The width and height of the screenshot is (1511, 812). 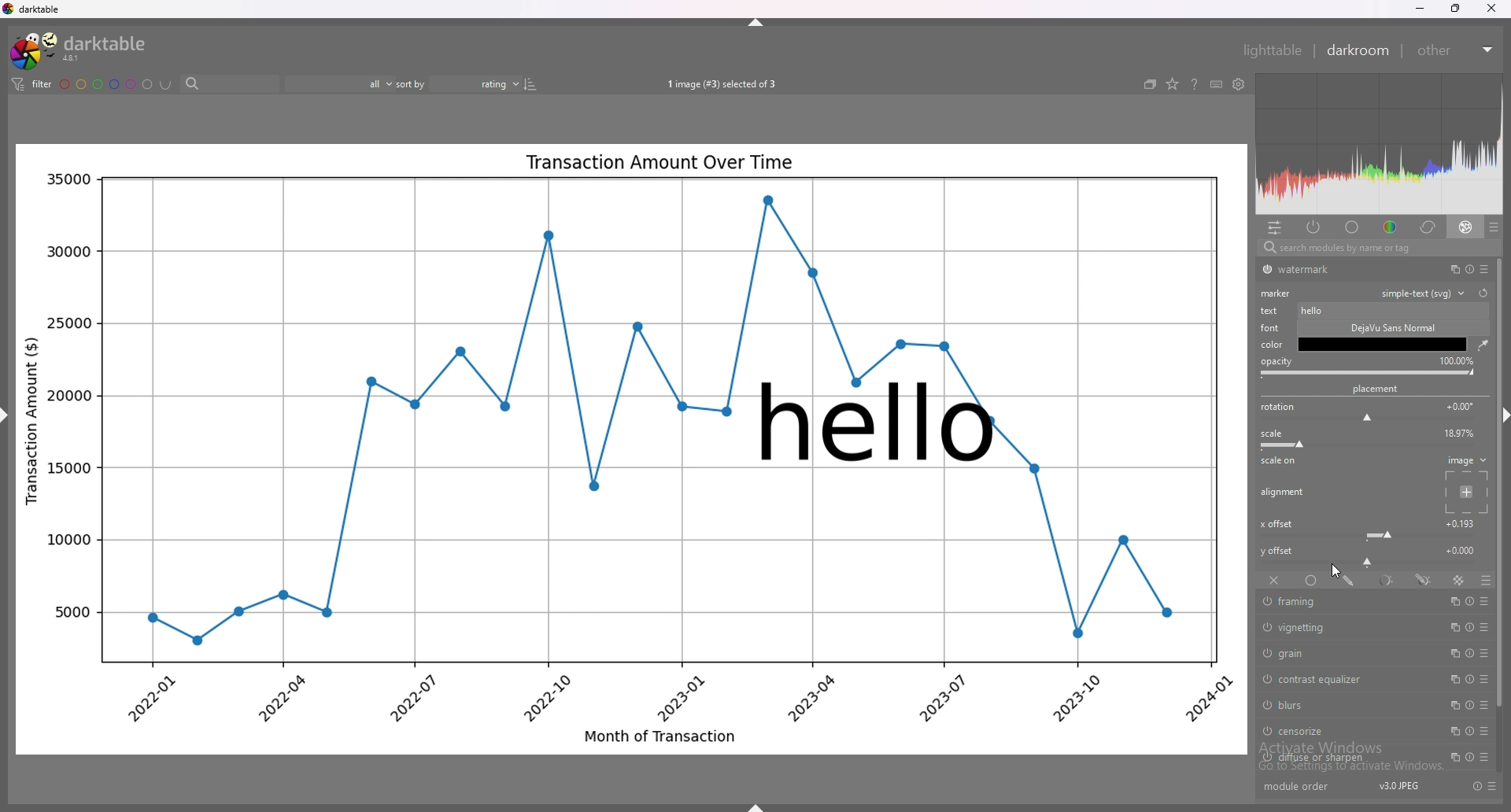 I want to click on marker, so click(x=1276, y=293).